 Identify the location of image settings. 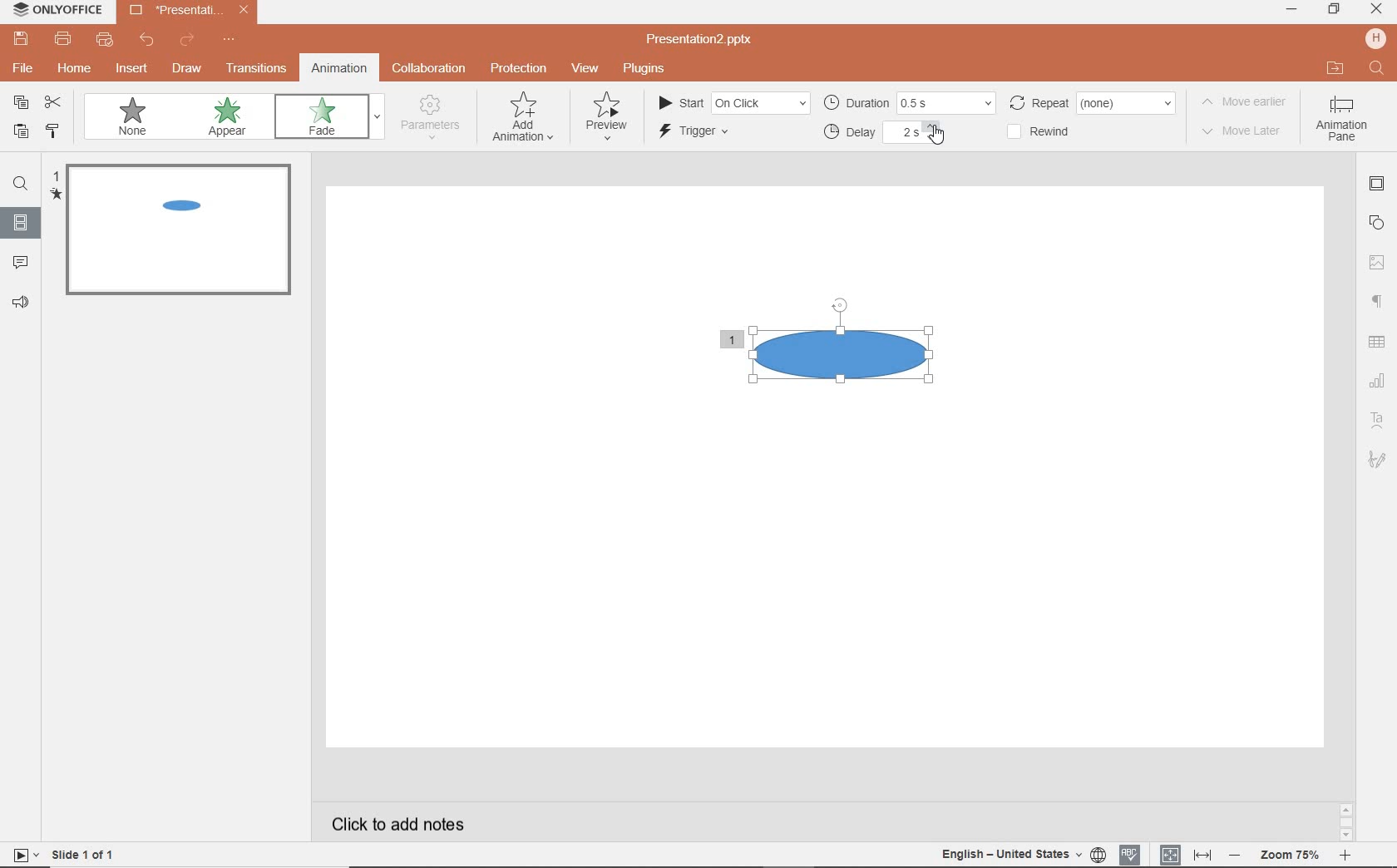
(1377, 262).